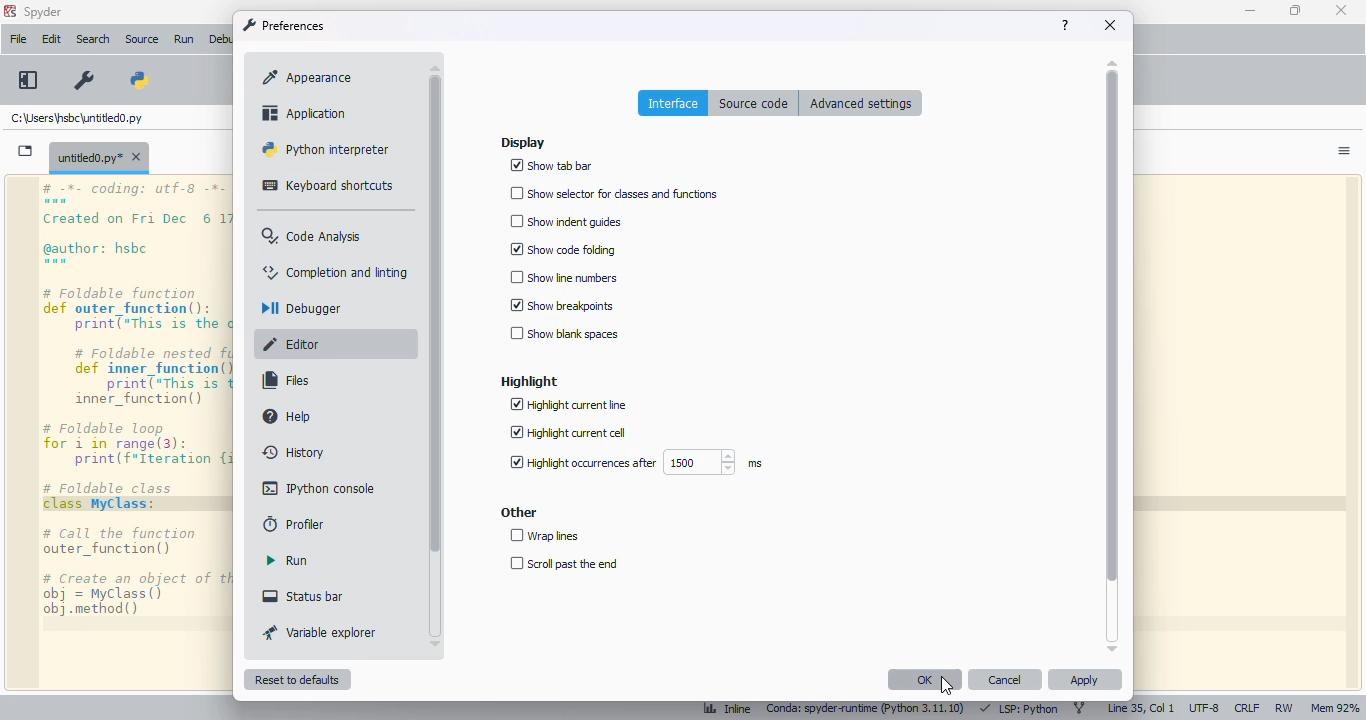 The image size is (1366, 720). Describe the element at coordinates (1205, 709) in the screenshot. I see `UTF-8` at that location.